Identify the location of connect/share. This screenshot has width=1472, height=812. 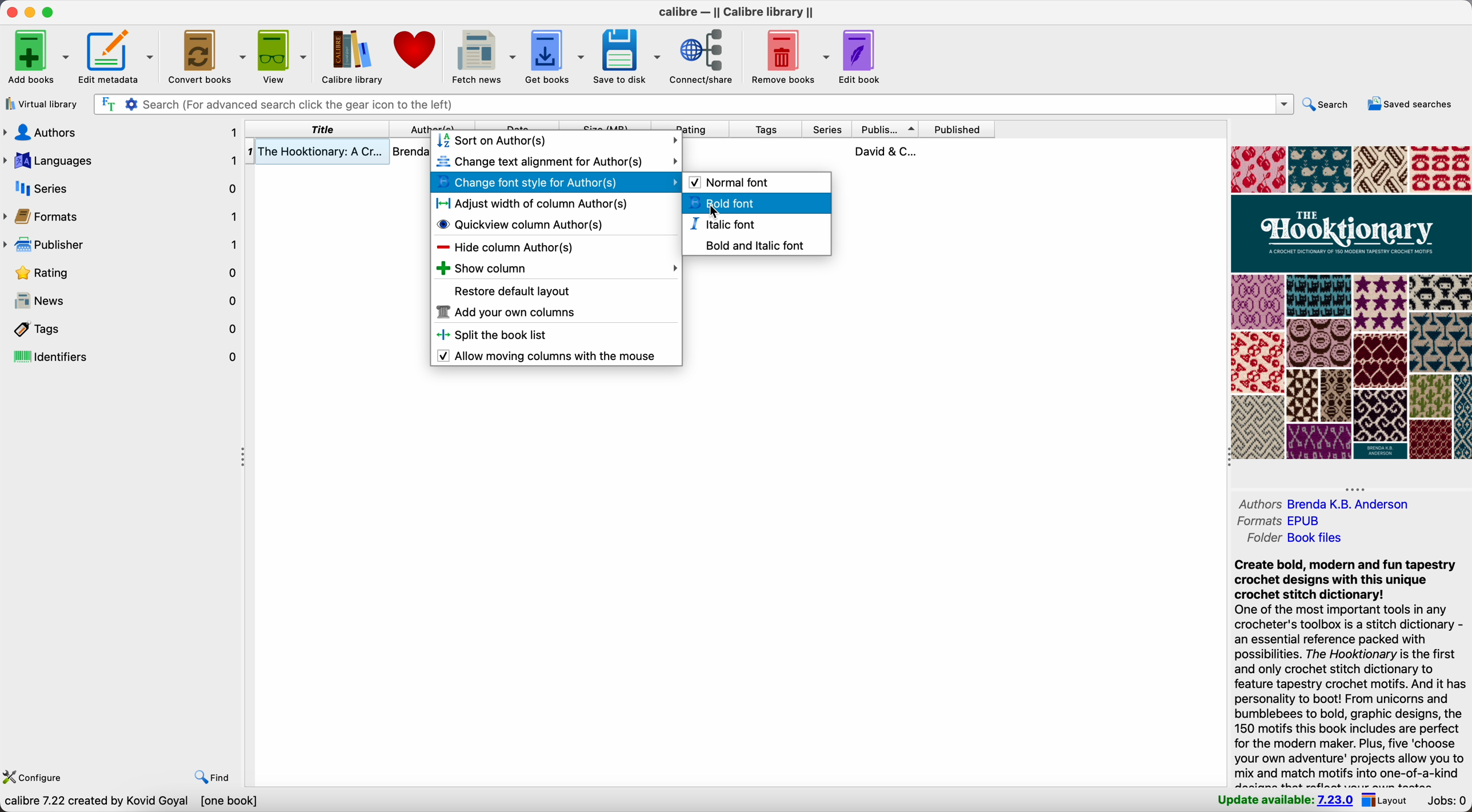
(705, 56).